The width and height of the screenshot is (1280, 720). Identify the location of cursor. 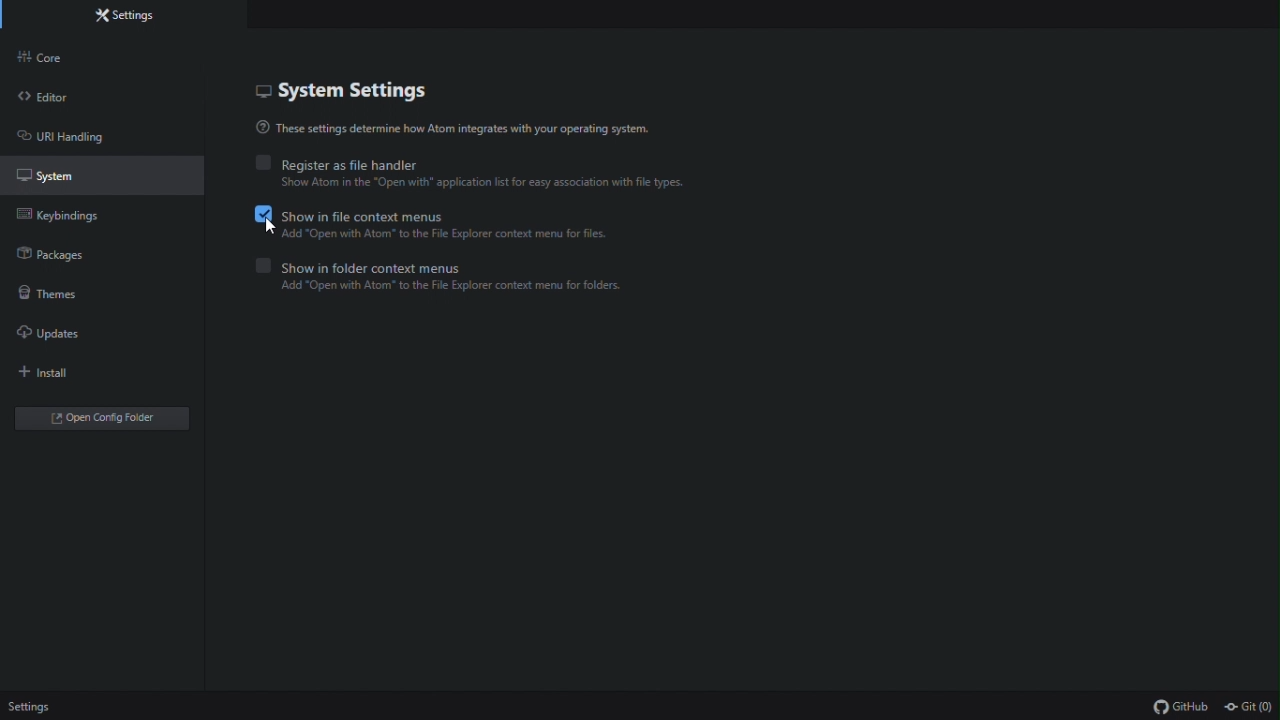
(278, 229).